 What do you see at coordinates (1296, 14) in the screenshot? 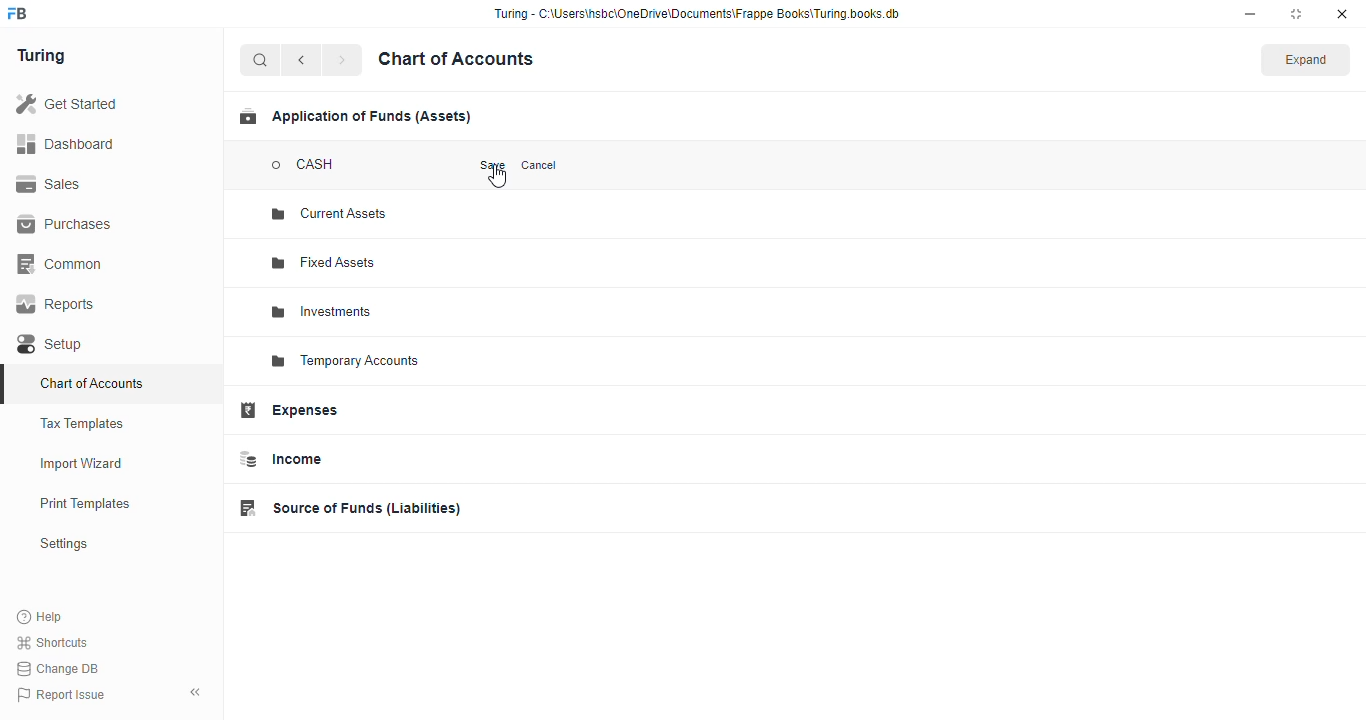
I see `maximize` at bounding box center [1296, 14].